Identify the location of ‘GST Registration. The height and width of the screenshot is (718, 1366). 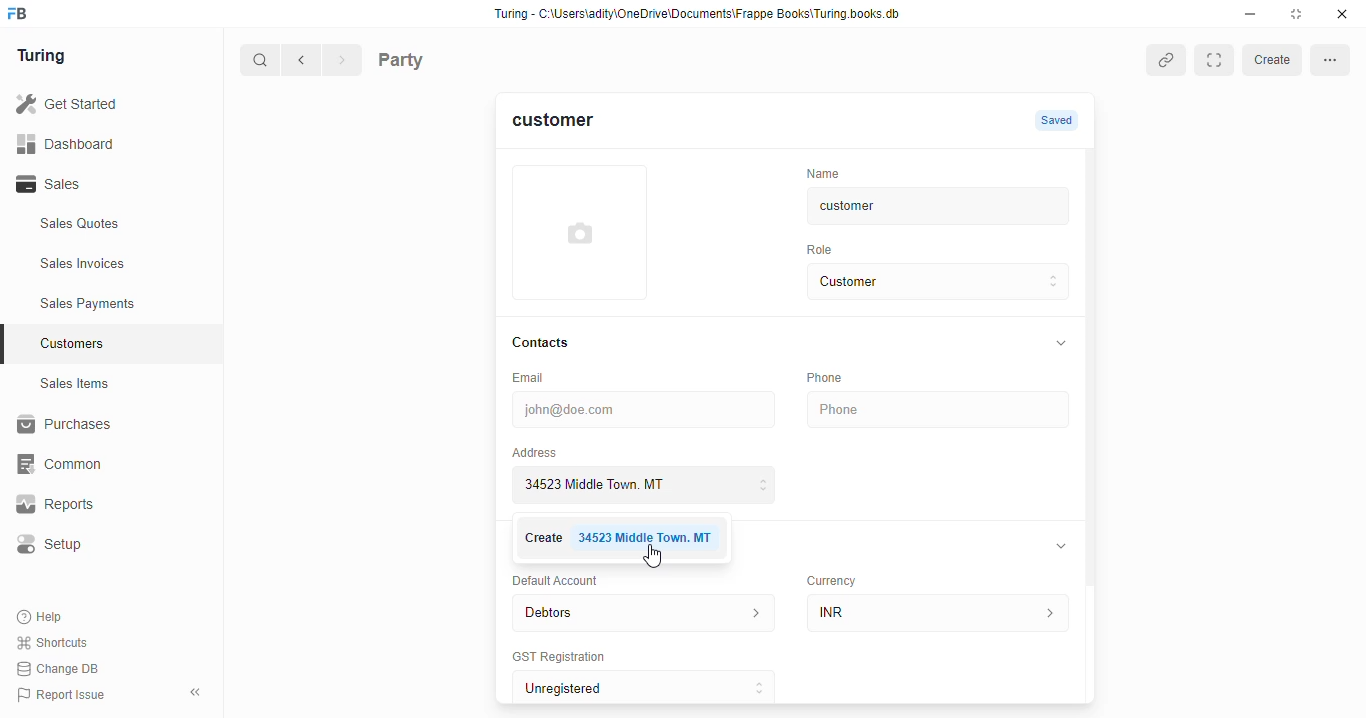
(557, 656).